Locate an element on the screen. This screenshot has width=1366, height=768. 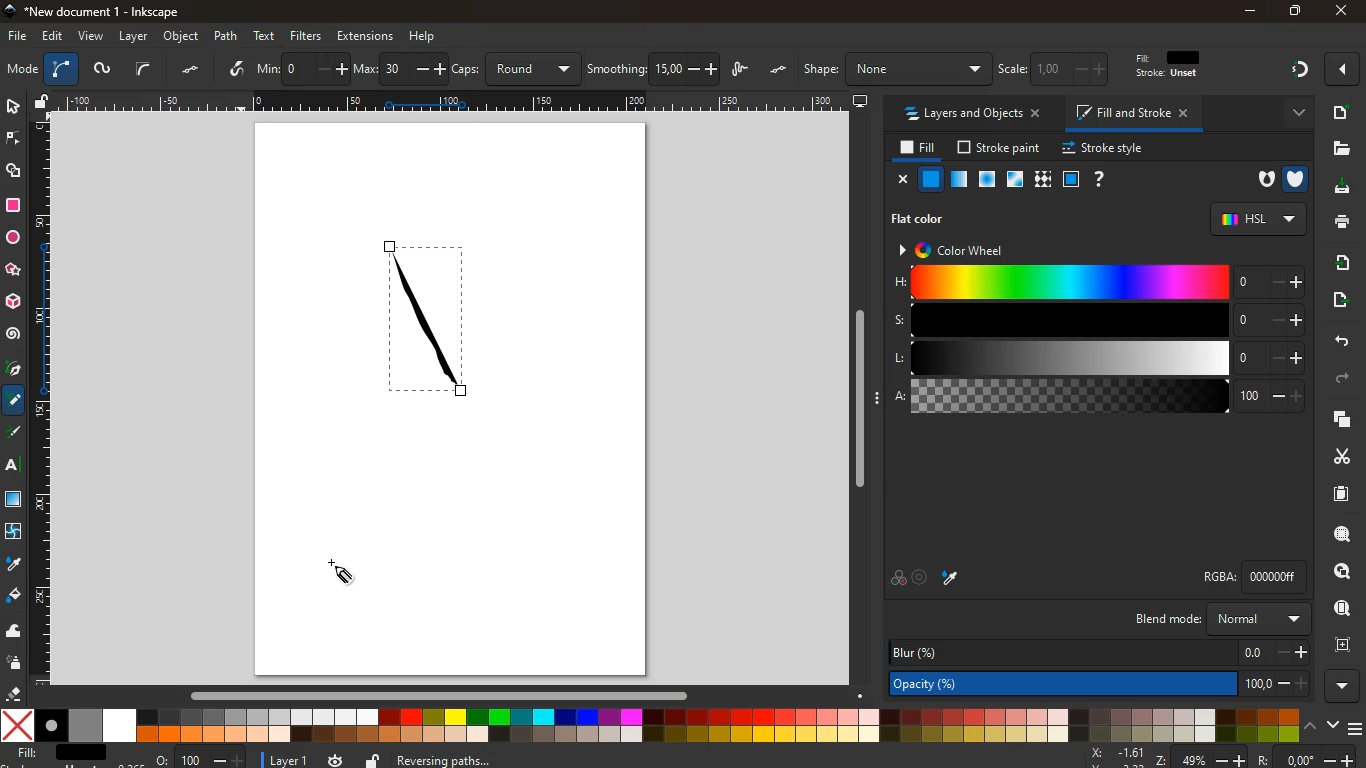
layers and objects is located at coordinates (971, 113).